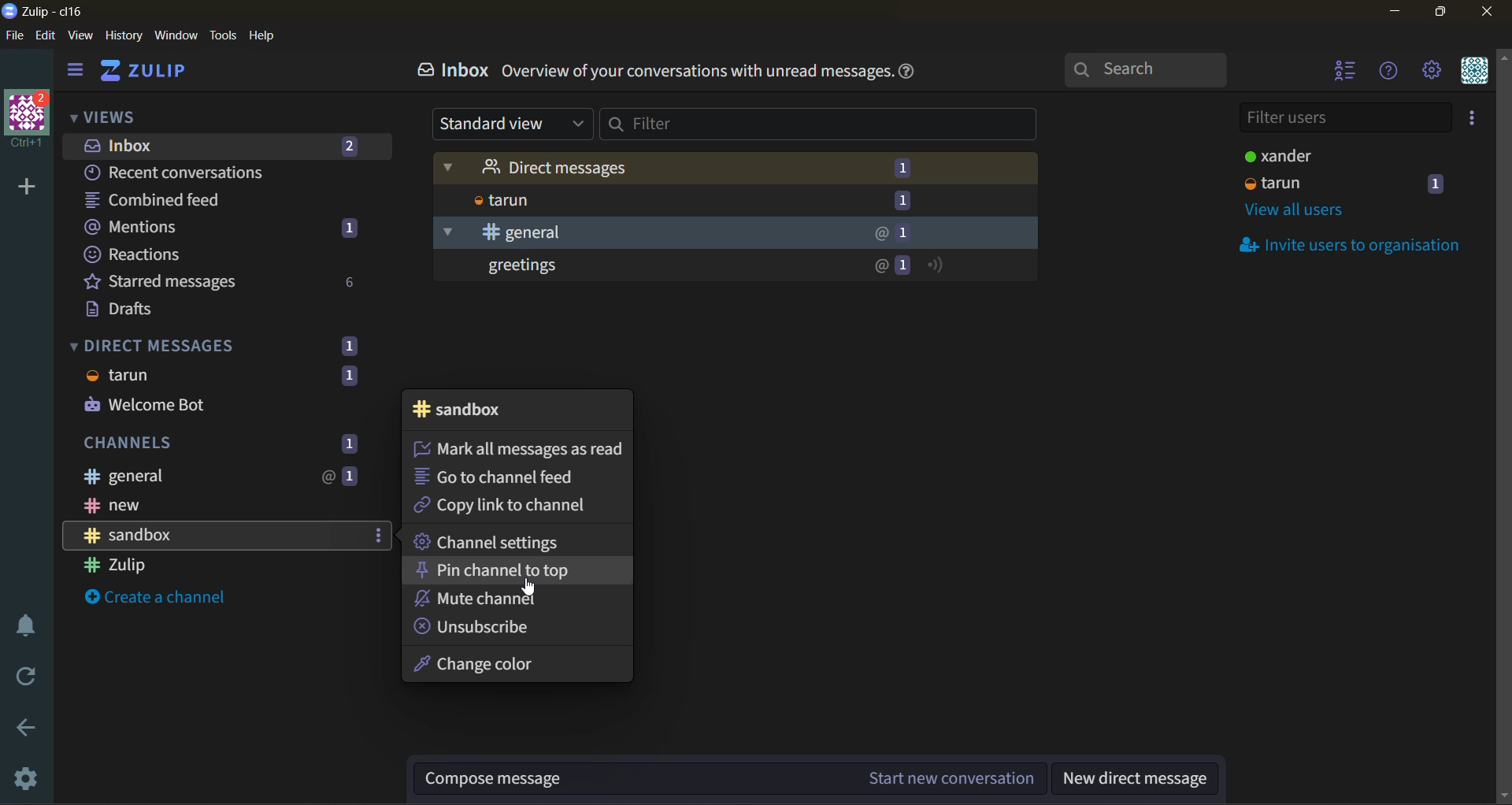 The image size is (1512, 805). I want to click on window, so click(179, 35).